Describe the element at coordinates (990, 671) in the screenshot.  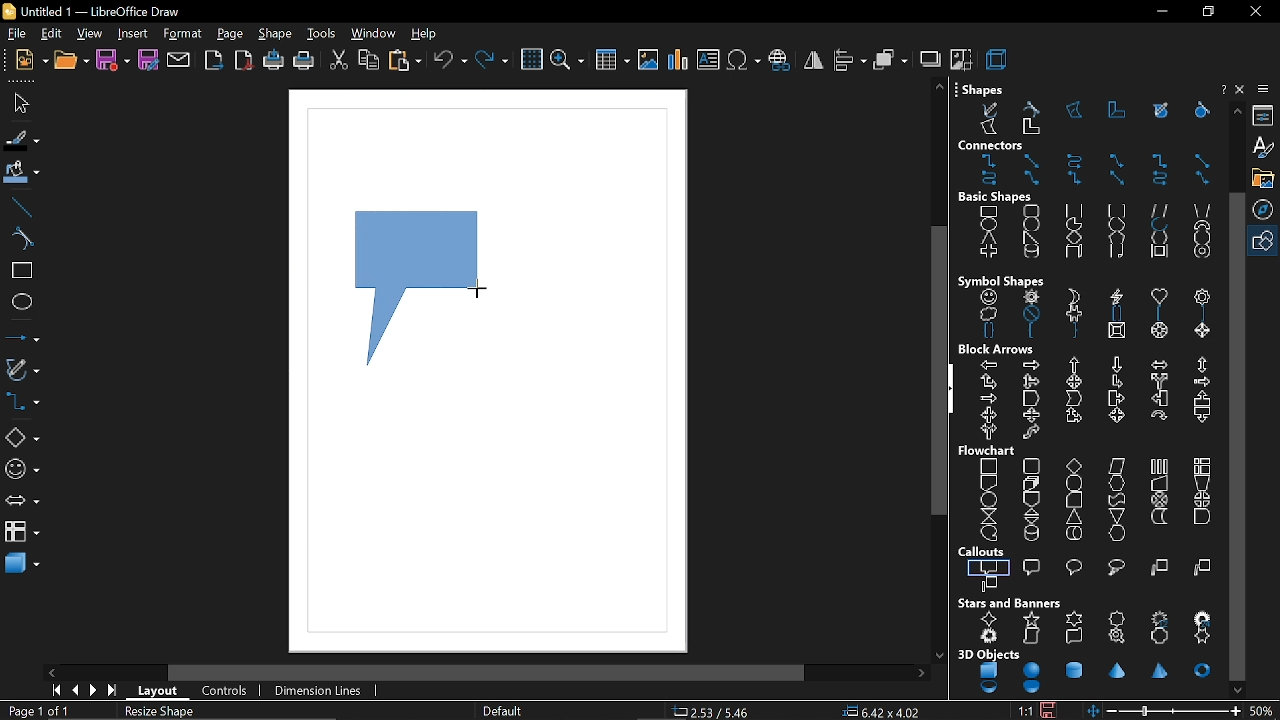
I see `cube` at that location.